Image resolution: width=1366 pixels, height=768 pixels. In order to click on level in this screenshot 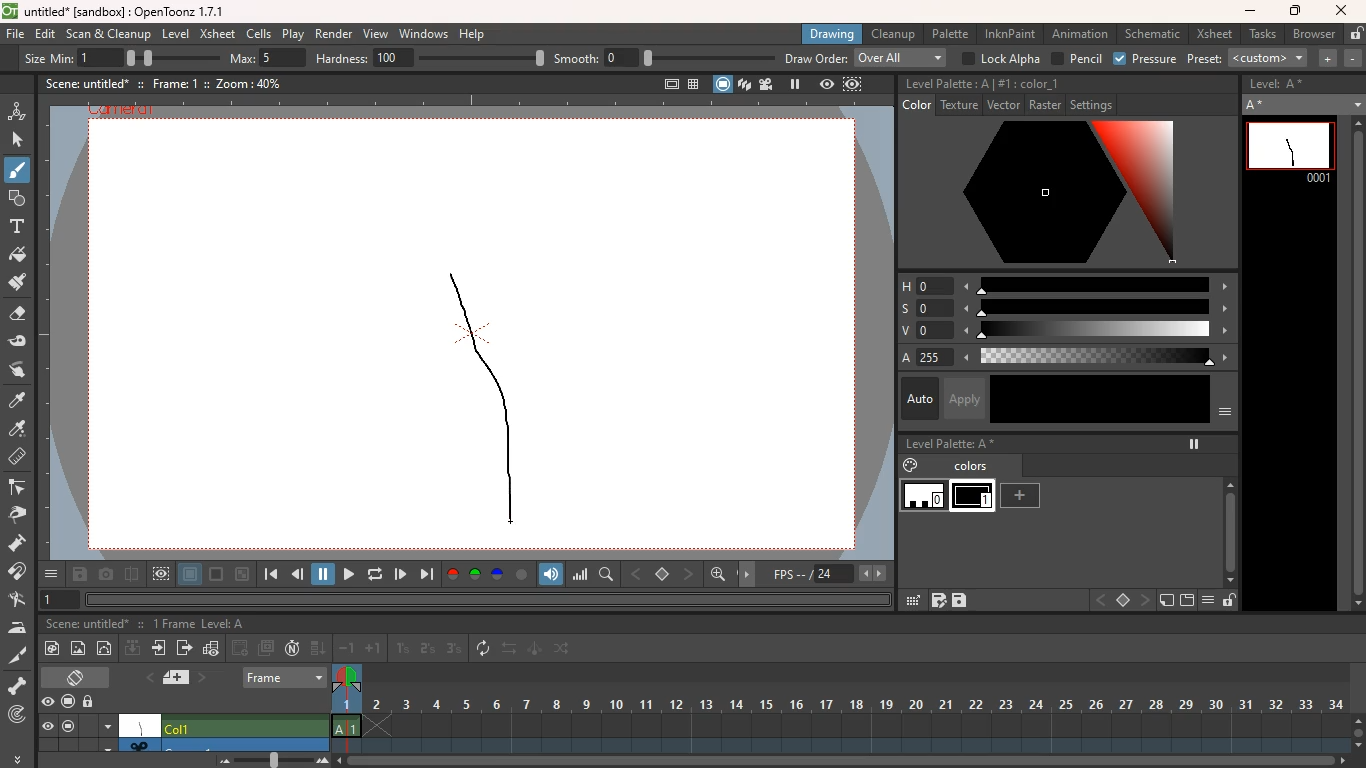, I will do `click(975, 497)`.